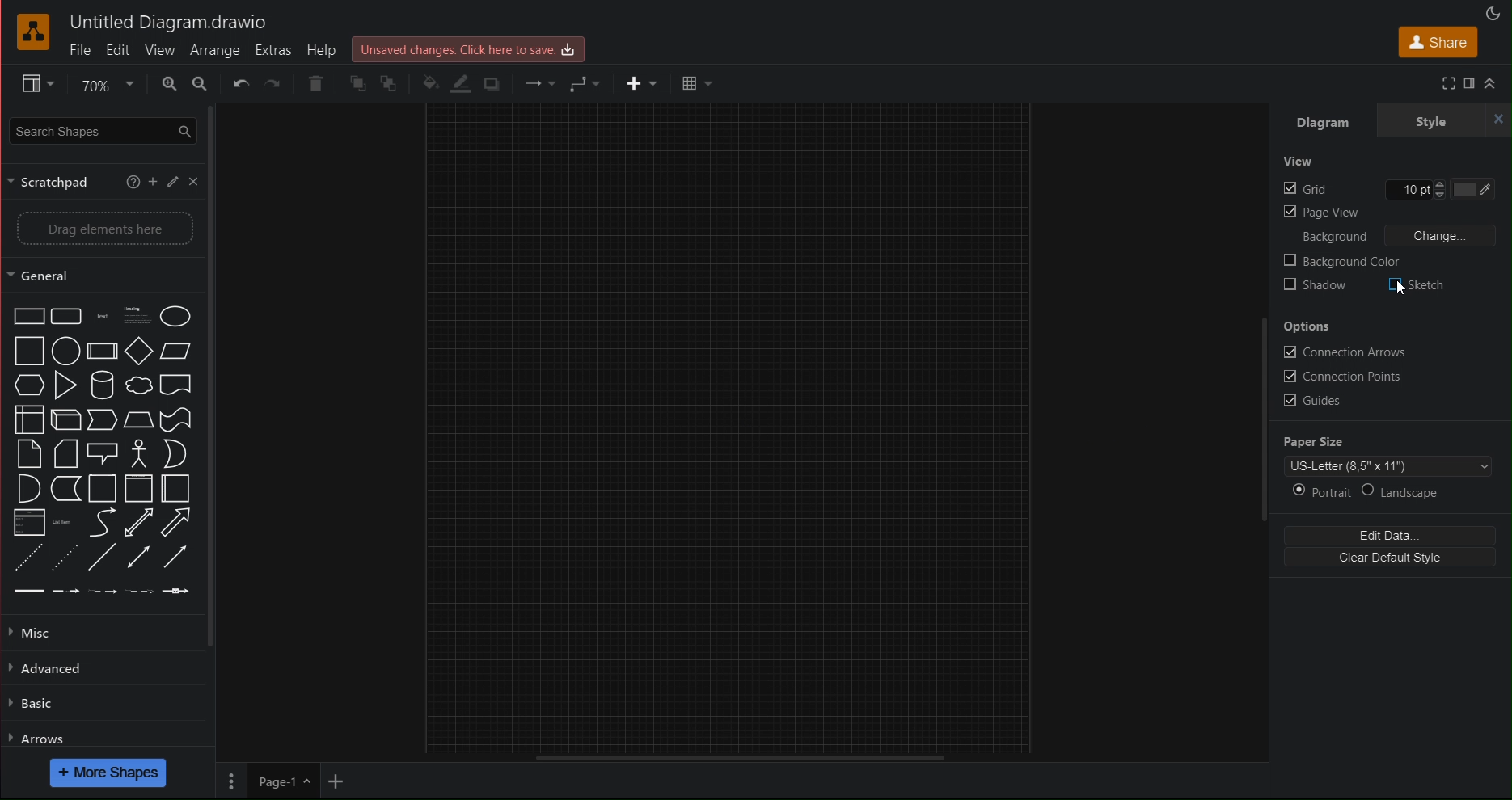 This screenshot has height=800, width=1512. I want to click on Undo, so click(239, 84).